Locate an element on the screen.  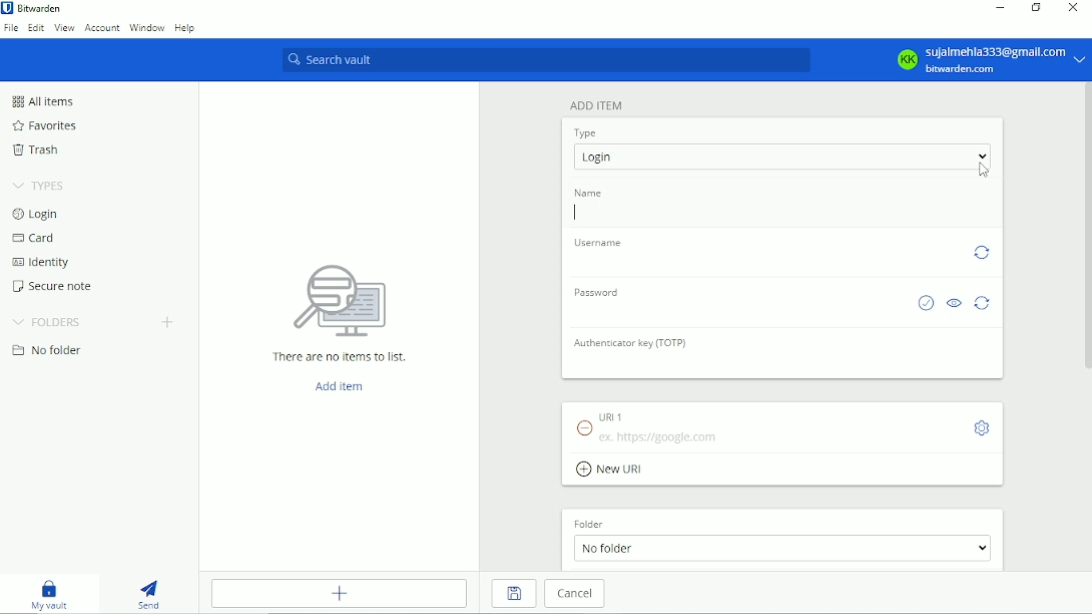
Minimize is located at coordinates (998, 9).